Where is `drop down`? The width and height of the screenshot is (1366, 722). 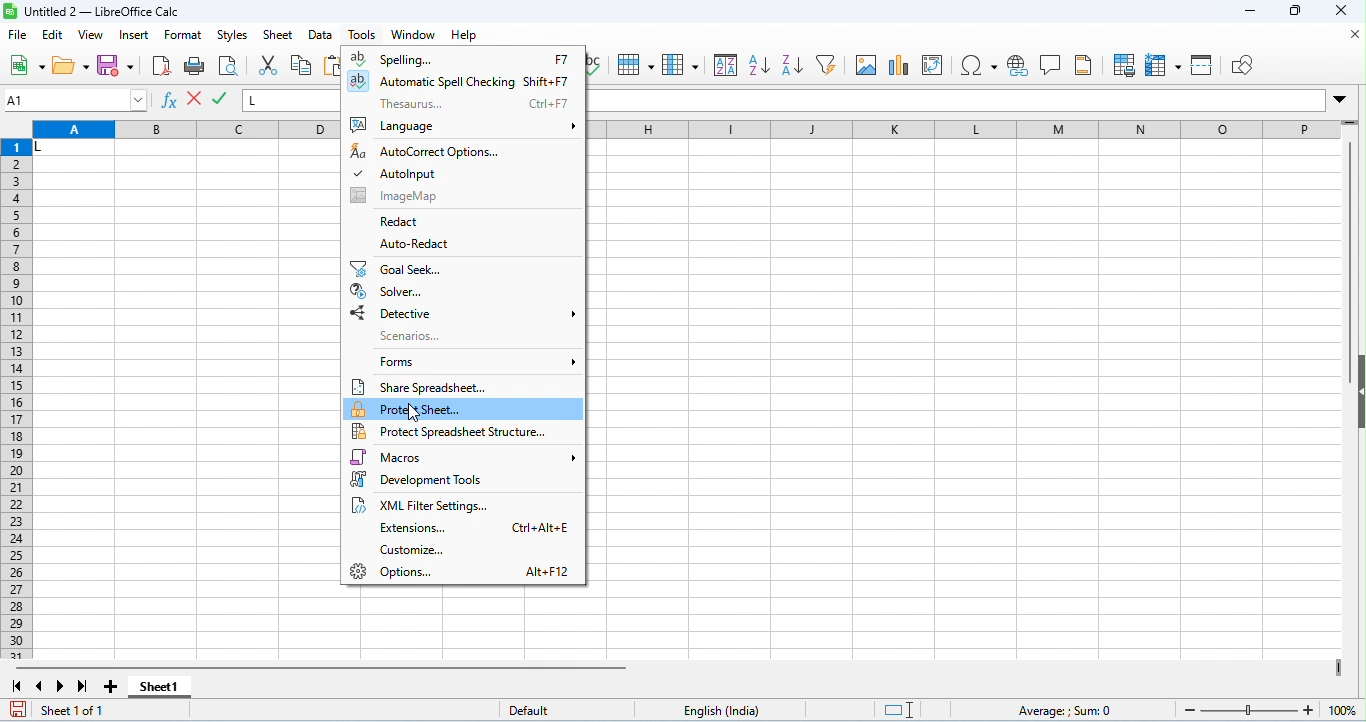
drop down is located at coordinates (1340, 99).